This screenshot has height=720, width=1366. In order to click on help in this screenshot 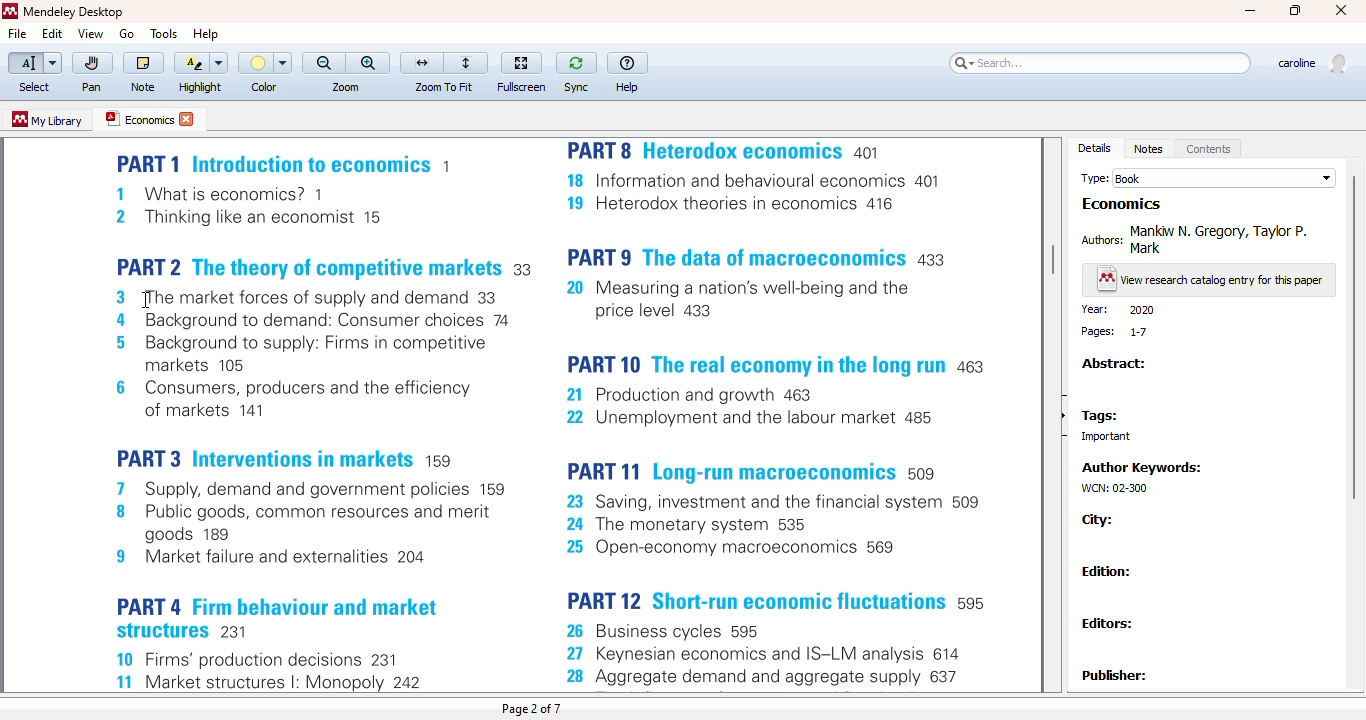, I will do `click(206, 33)`.